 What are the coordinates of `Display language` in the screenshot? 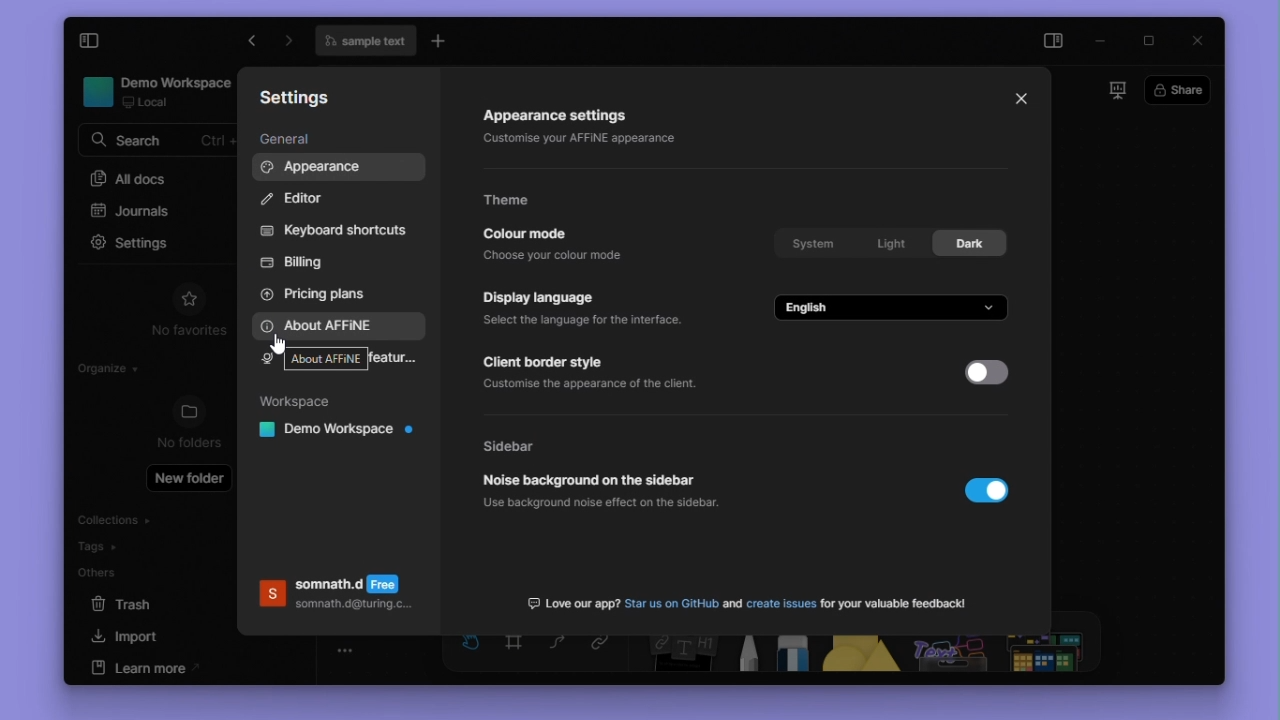 It's located at (583, 308).